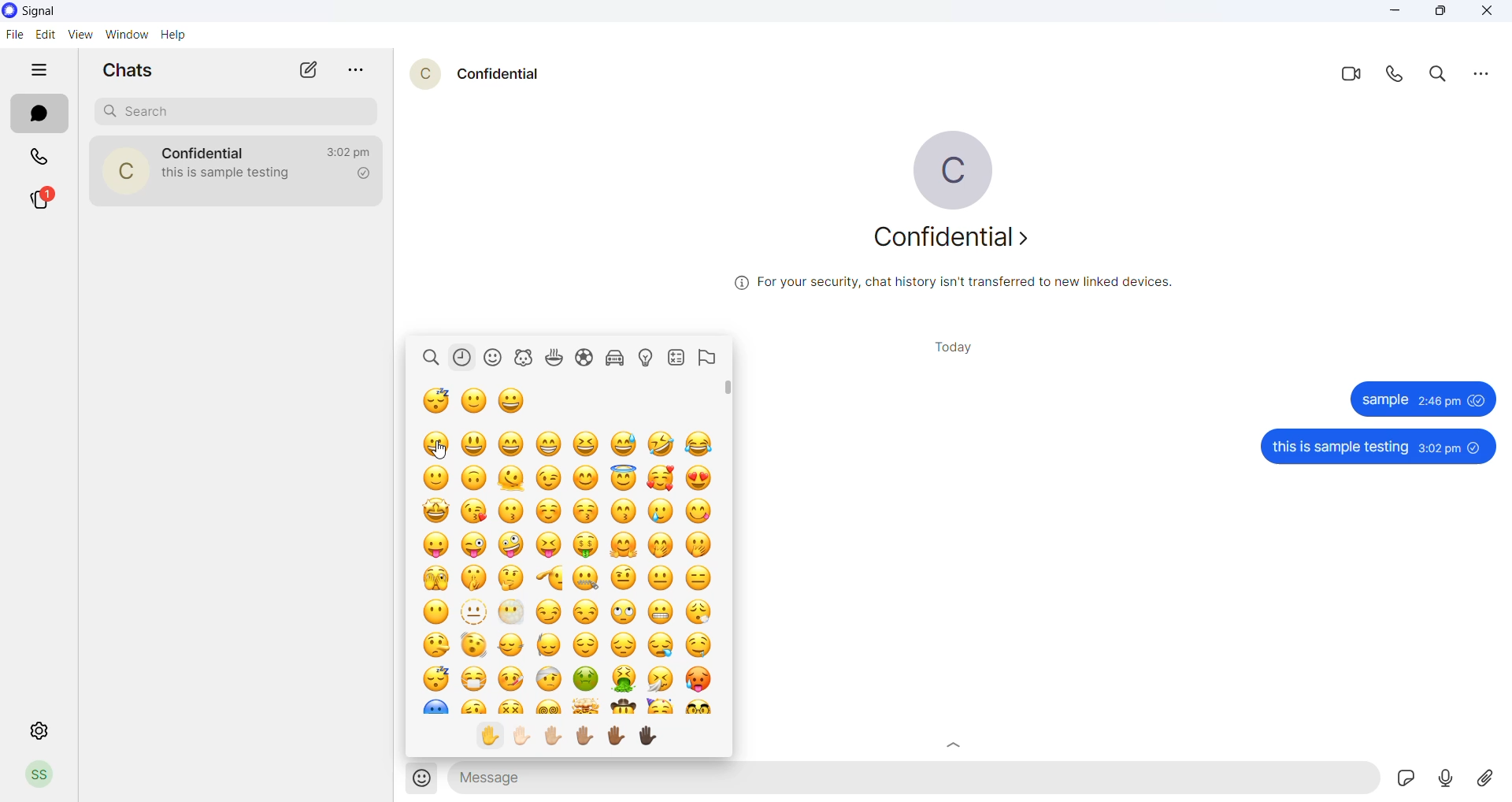  I want to click on read recipient, so click(365, 175).